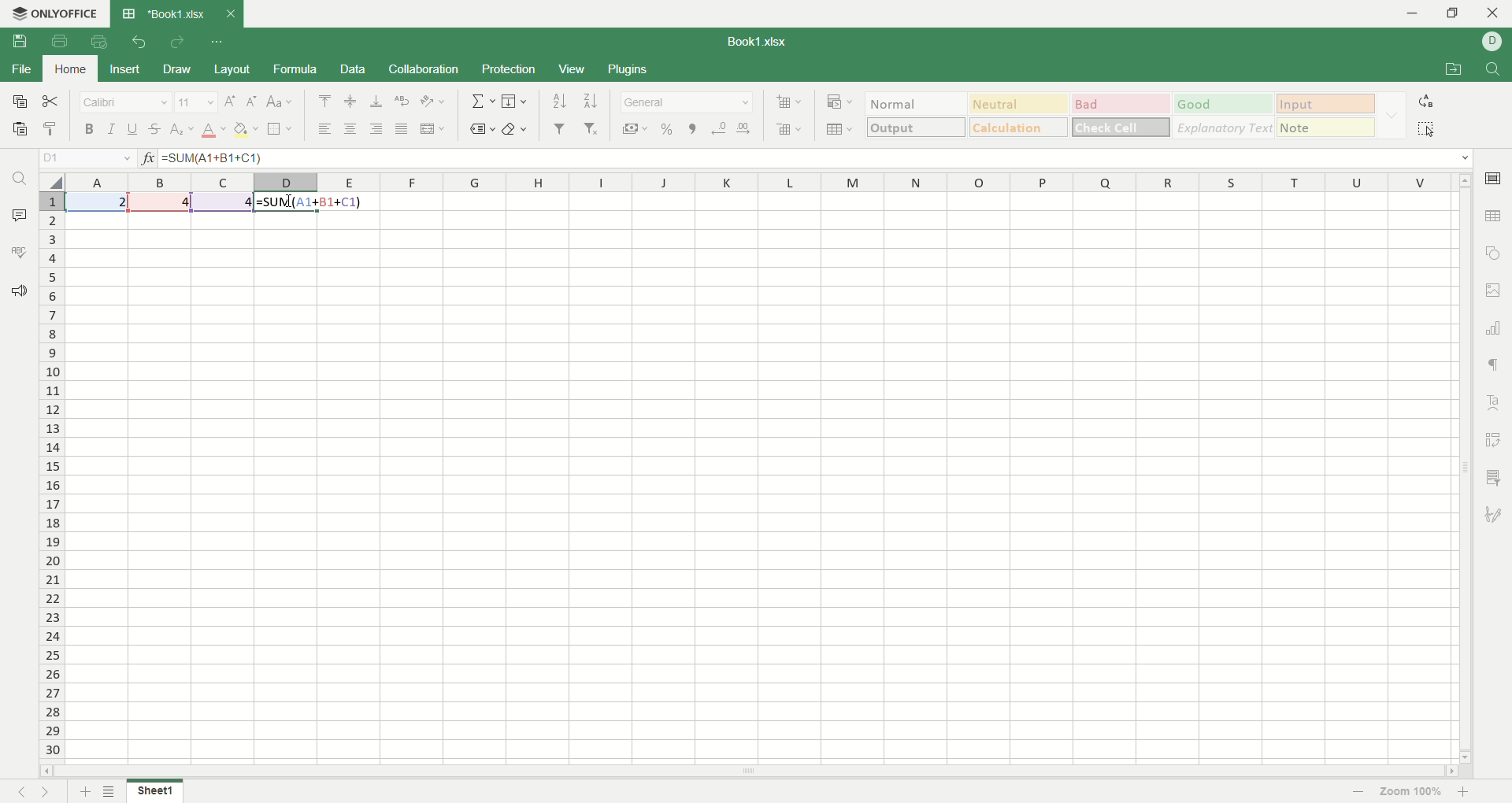 This screenshot has width=1512, height=803. I want to click on signature settings, so click(1492, 516).